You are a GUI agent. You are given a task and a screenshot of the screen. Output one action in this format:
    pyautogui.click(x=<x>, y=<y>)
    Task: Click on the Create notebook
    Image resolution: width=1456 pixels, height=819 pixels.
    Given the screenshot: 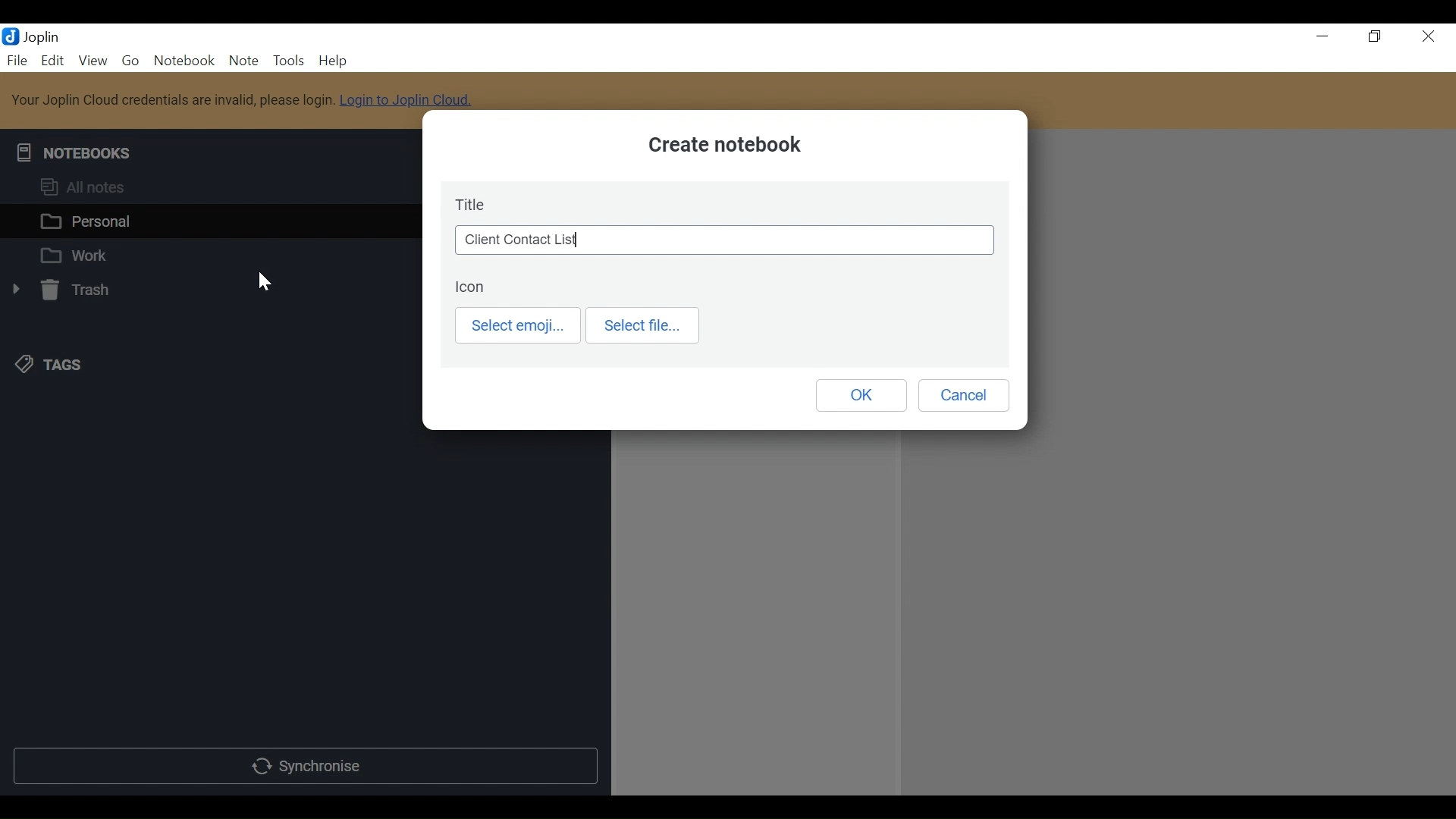 What is the action you would take?
    pyautogui.click(x=722, y=146)
    